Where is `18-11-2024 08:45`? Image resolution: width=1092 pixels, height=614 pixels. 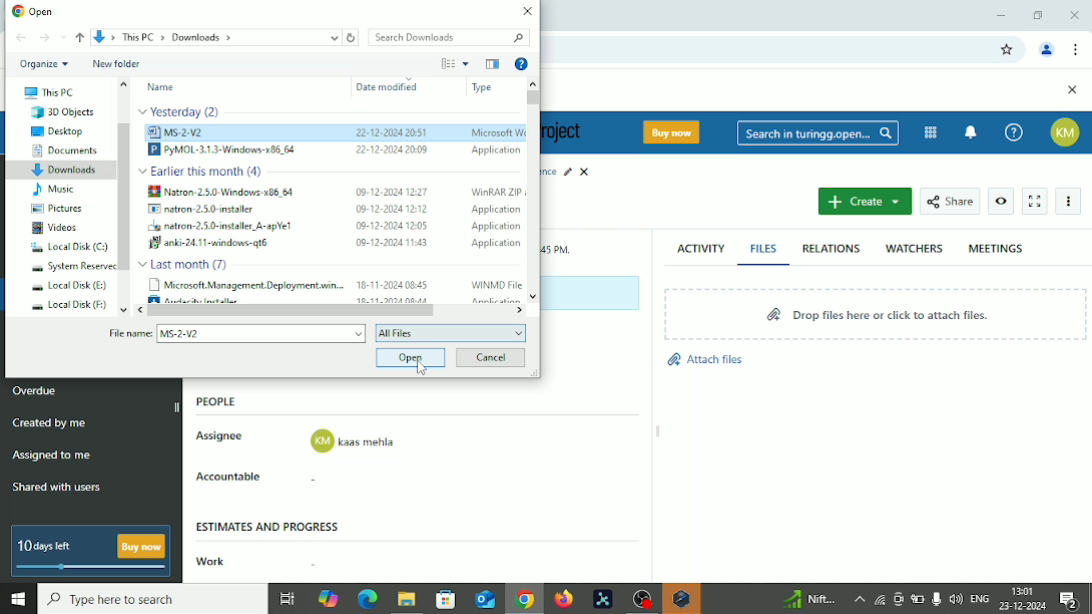 18-11-2024 08:45 is located at coordinates (393, 285).